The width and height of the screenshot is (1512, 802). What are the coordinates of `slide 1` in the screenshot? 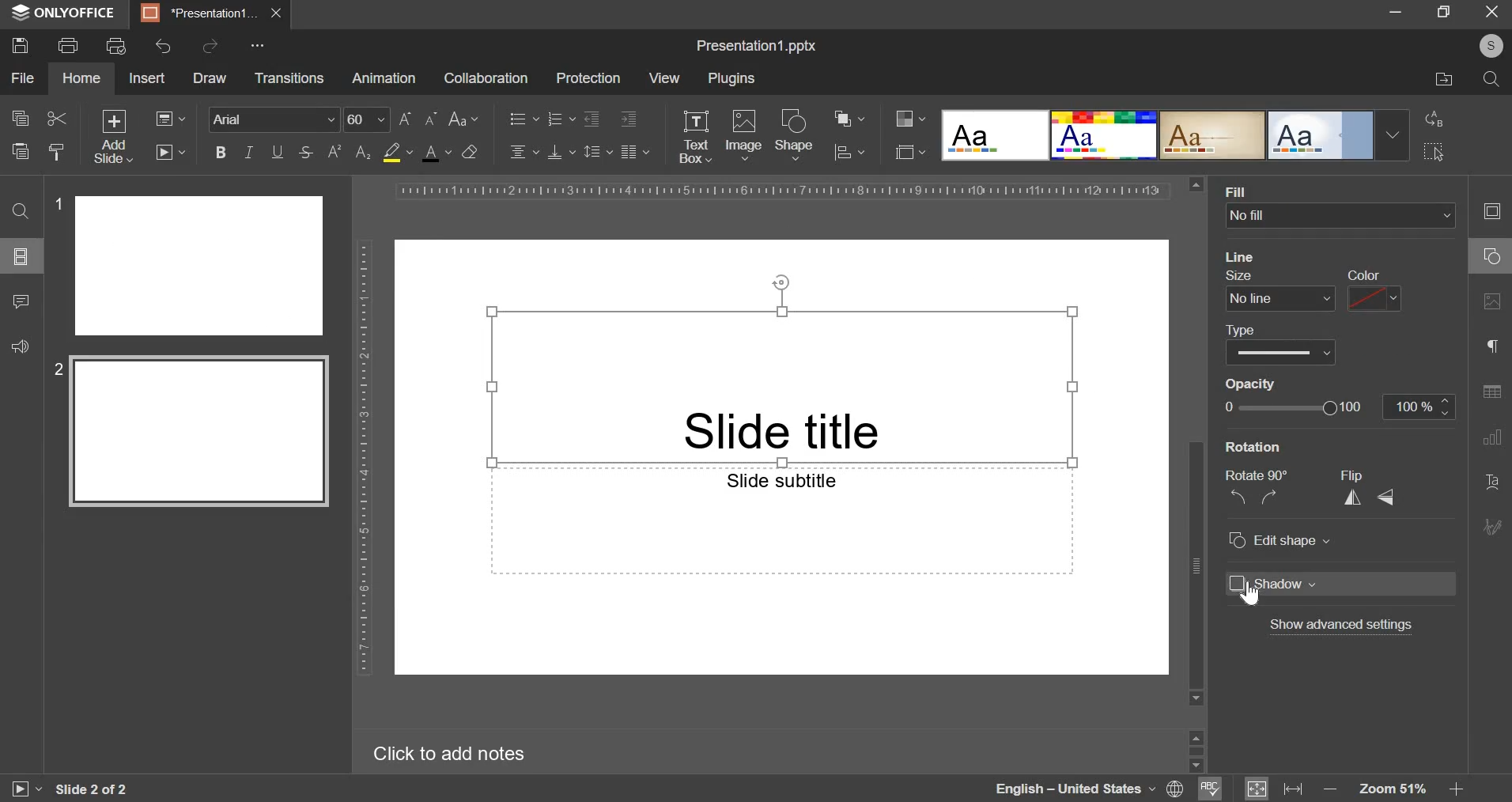 It's located at (191, 265).